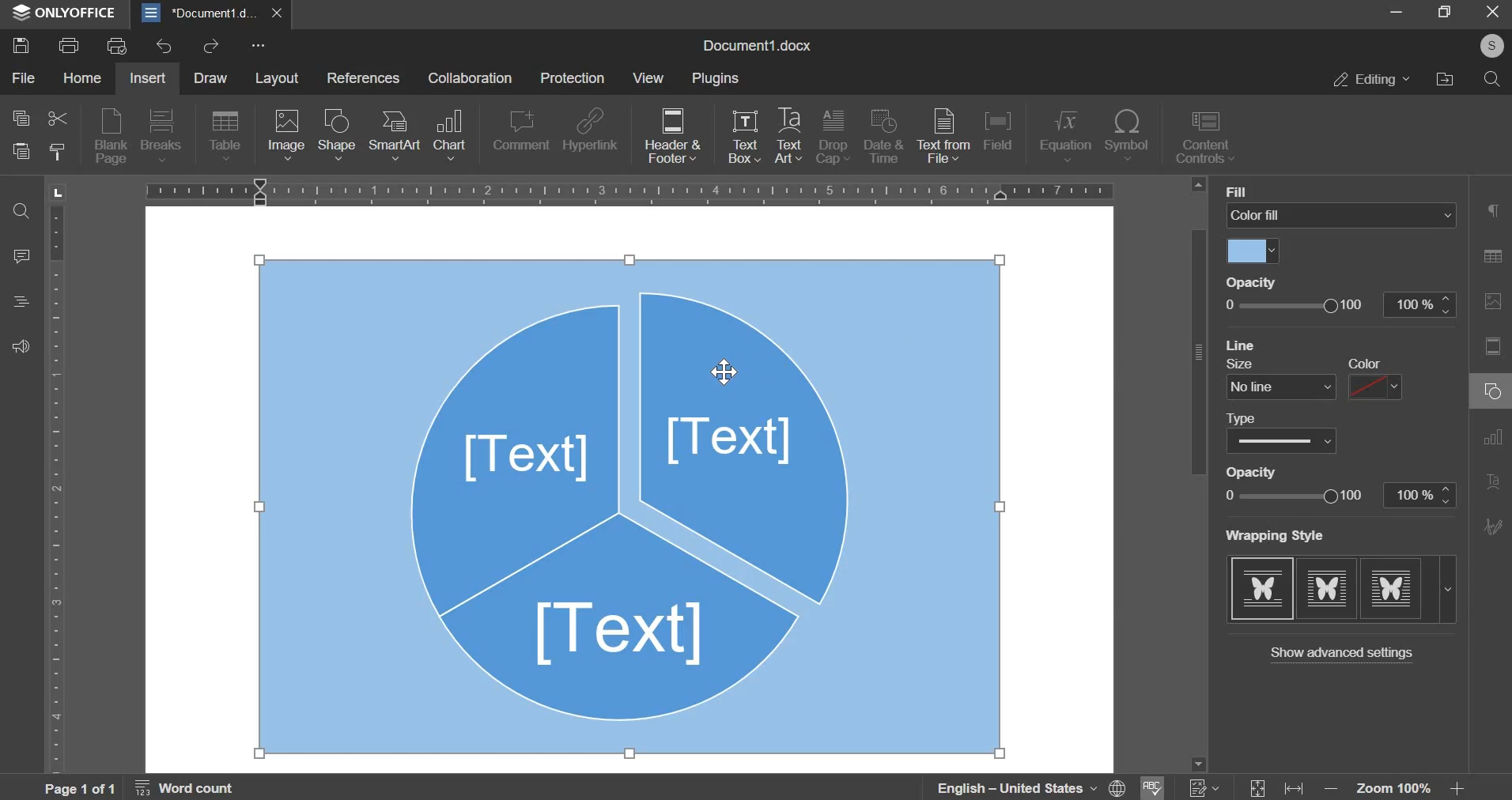 This screenshot has height=800, width=1512. What do you see at coordinates (258, 45) in the screenshot?
I see `more` at bounding box center [258, 45].